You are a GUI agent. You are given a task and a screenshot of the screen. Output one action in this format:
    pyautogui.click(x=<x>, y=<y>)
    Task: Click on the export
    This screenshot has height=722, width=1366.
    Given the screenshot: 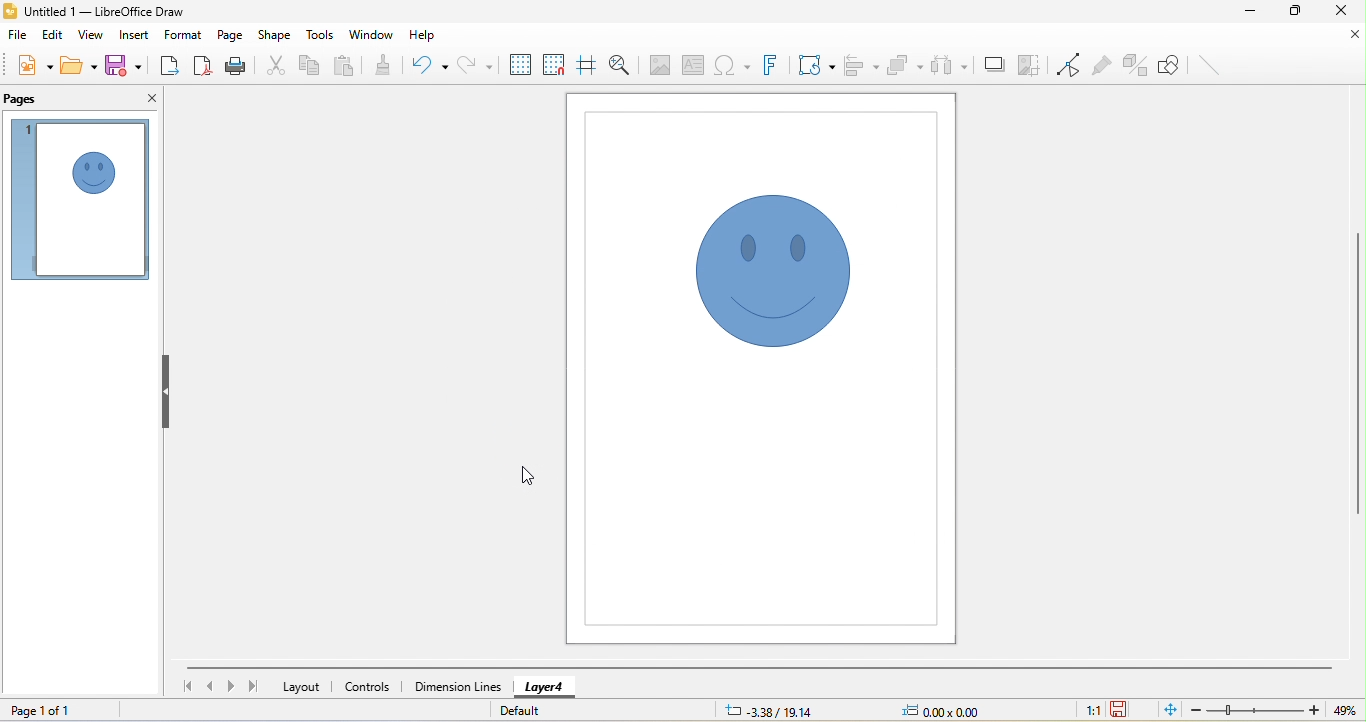 What is the action you would take?
    pyautogui.click(x=167, y=63)
    